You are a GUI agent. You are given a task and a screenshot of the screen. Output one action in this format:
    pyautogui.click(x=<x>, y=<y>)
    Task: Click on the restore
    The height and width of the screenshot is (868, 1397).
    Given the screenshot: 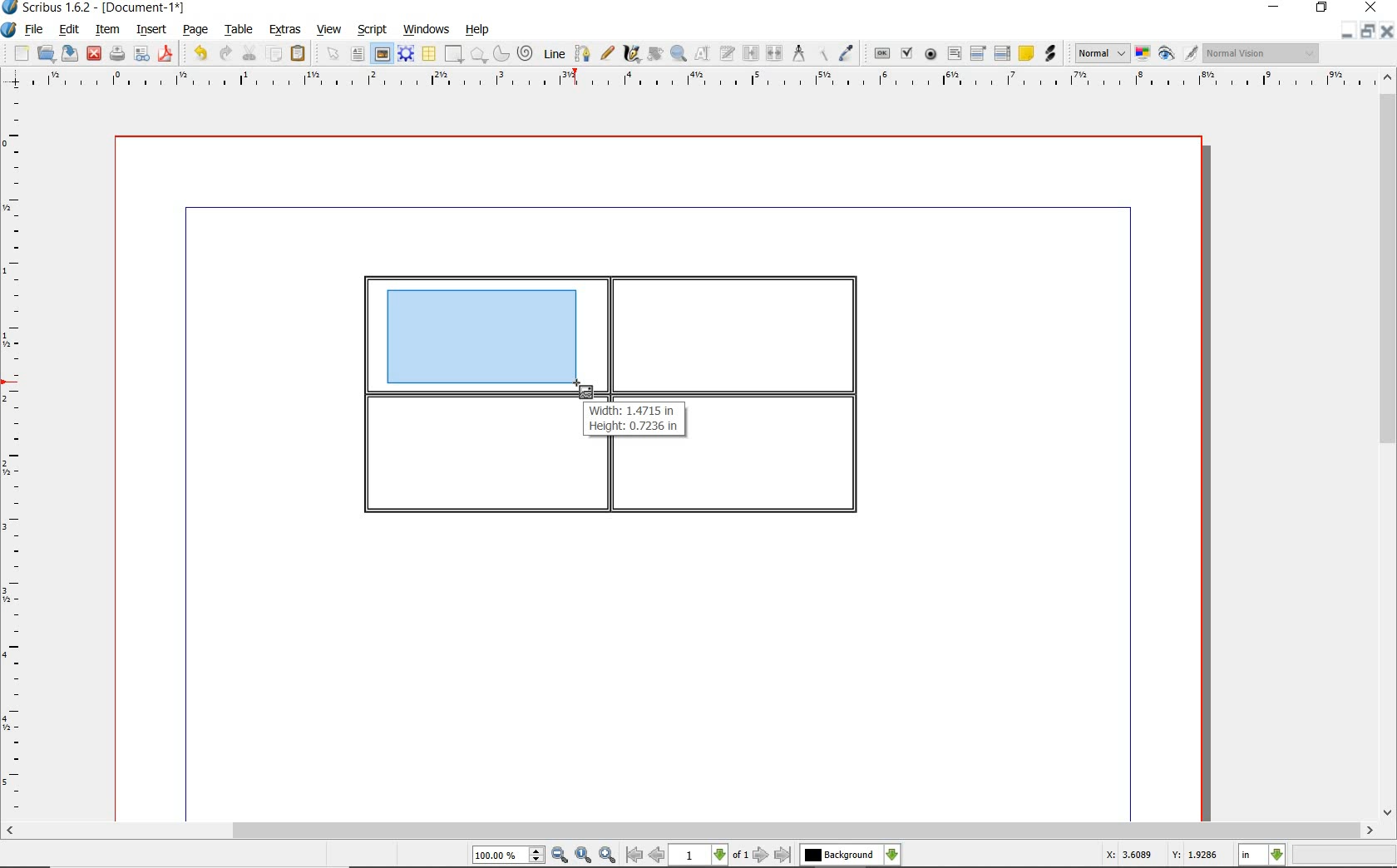 What is the action you would take?
    pyautogui.click(x=1366, y=32)
    